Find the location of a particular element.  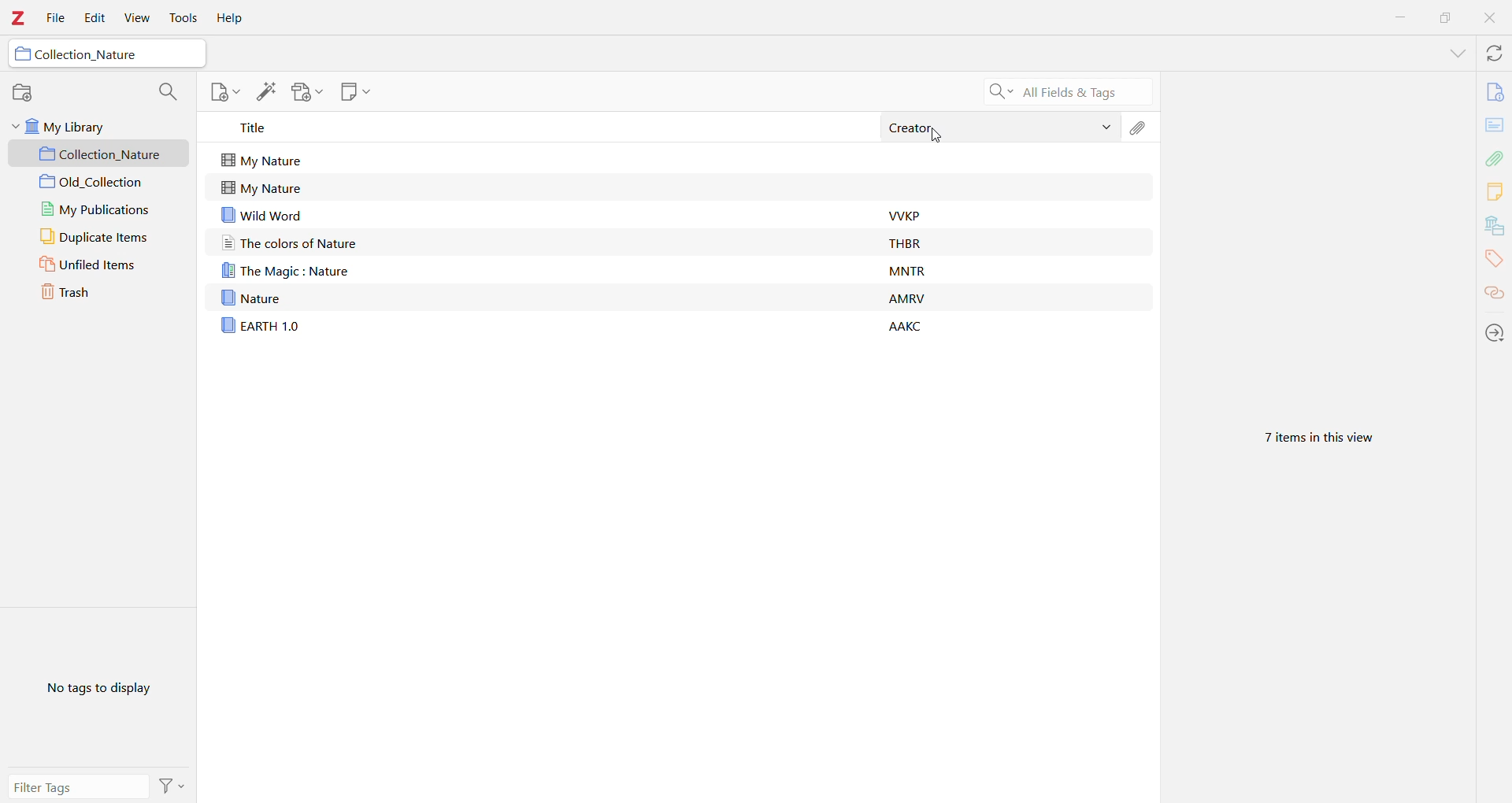

Sync with zotero.org is located at coordinates (1494, 53).